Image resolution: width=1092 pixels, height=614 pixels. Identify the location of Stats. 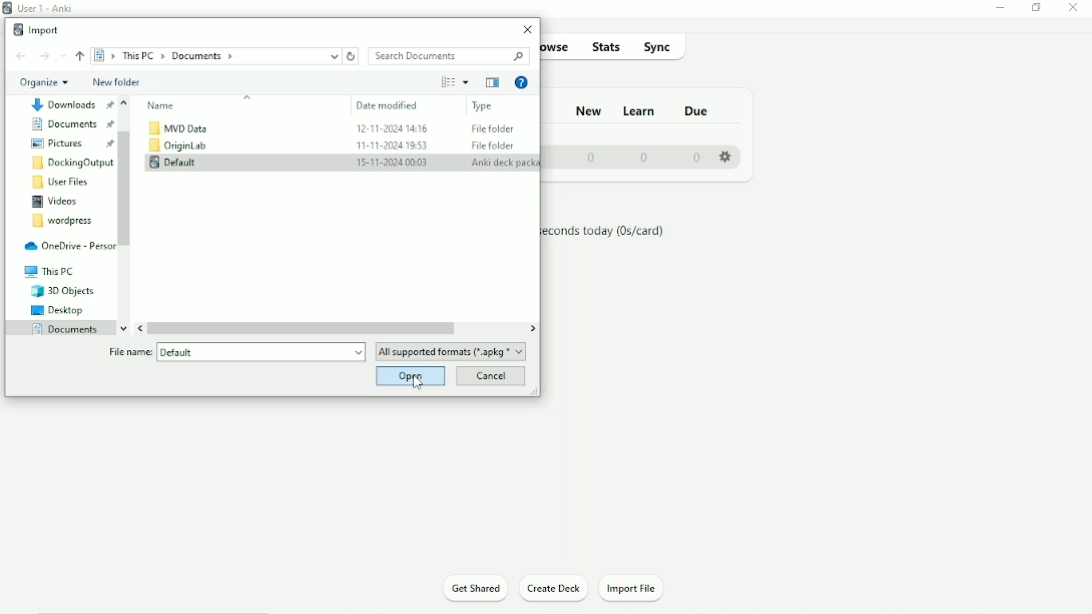
(607, 46).